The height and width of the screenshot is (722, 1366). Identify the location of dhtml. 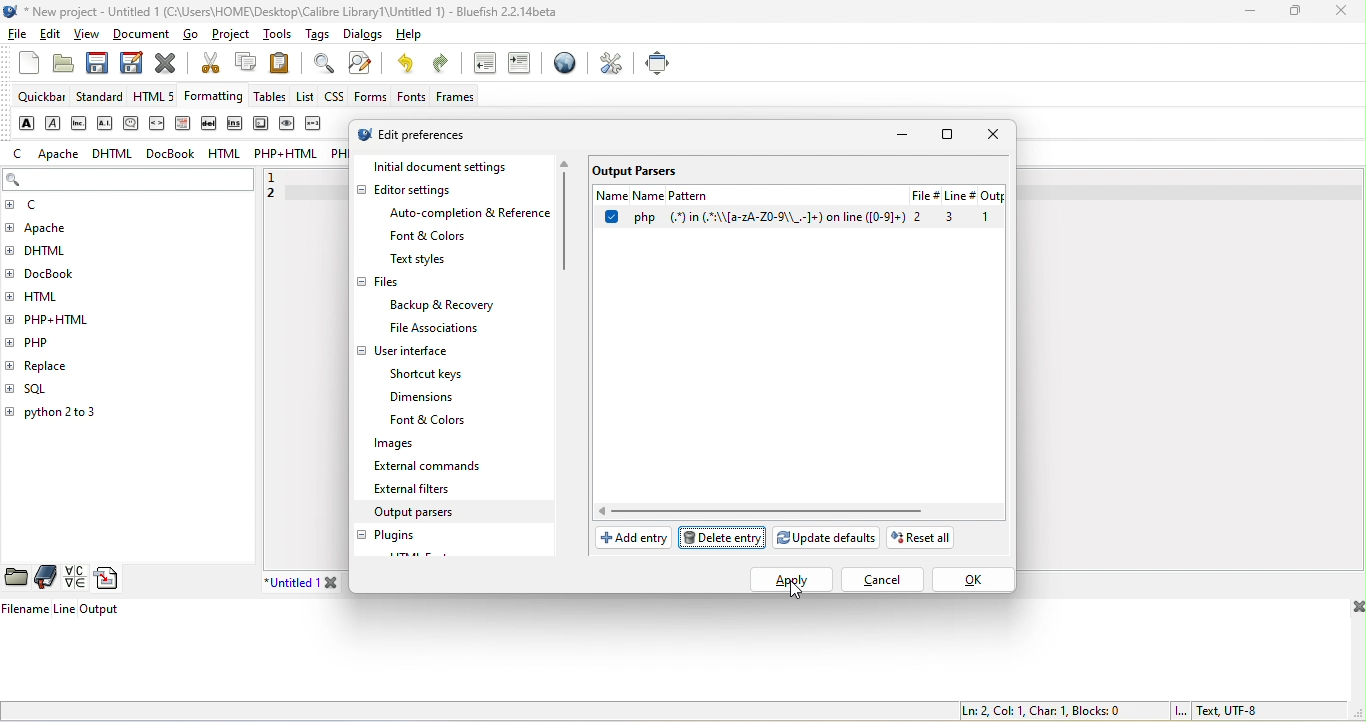
(53, 254).